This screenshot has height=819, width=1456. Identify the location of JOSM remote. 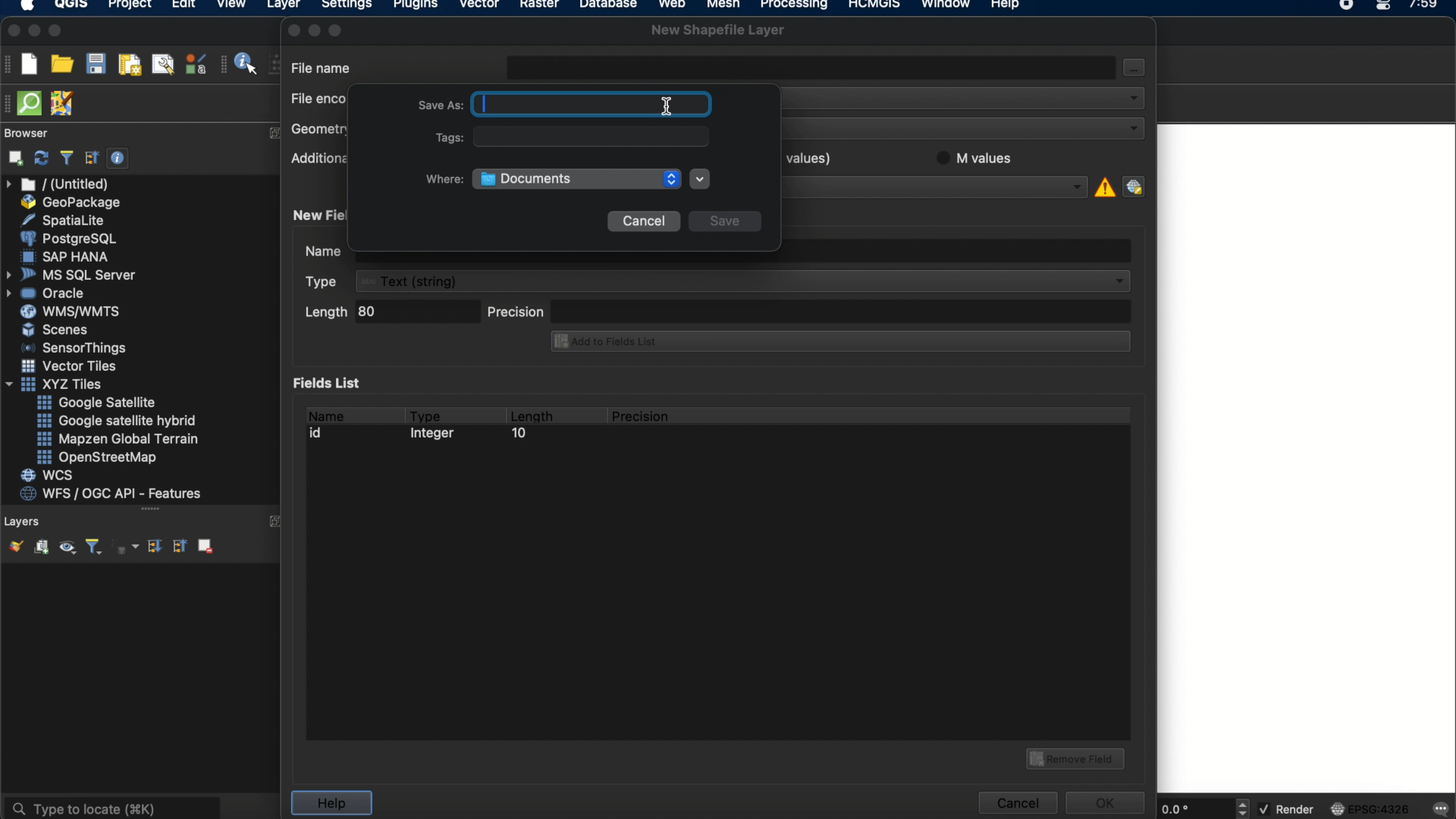
(64, 104).